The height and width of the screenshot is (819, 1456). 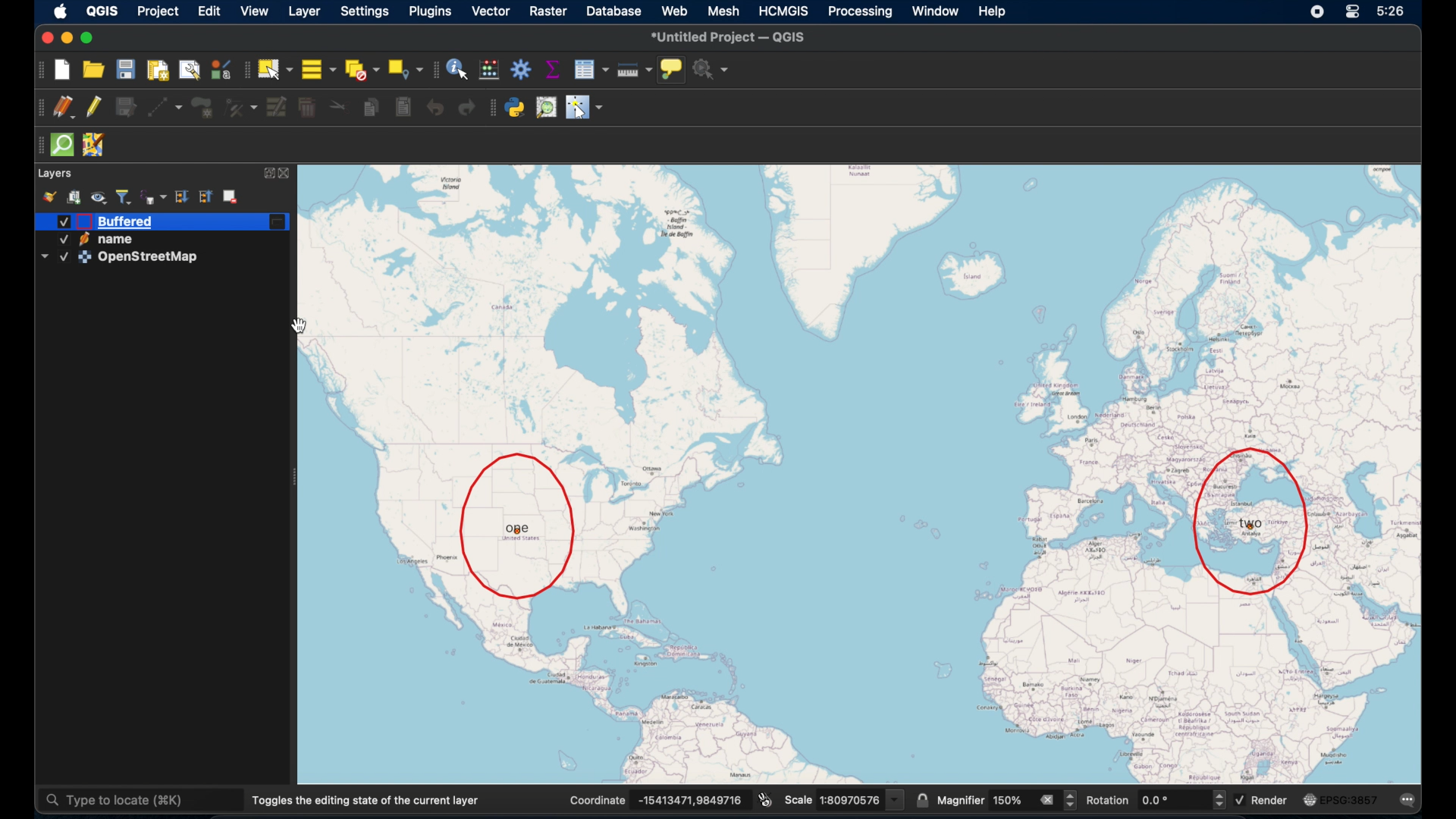 What do you see at coordinates (1173, 800) in the screenshot?
I see `rotation value` at bounding box center [1173, 800].